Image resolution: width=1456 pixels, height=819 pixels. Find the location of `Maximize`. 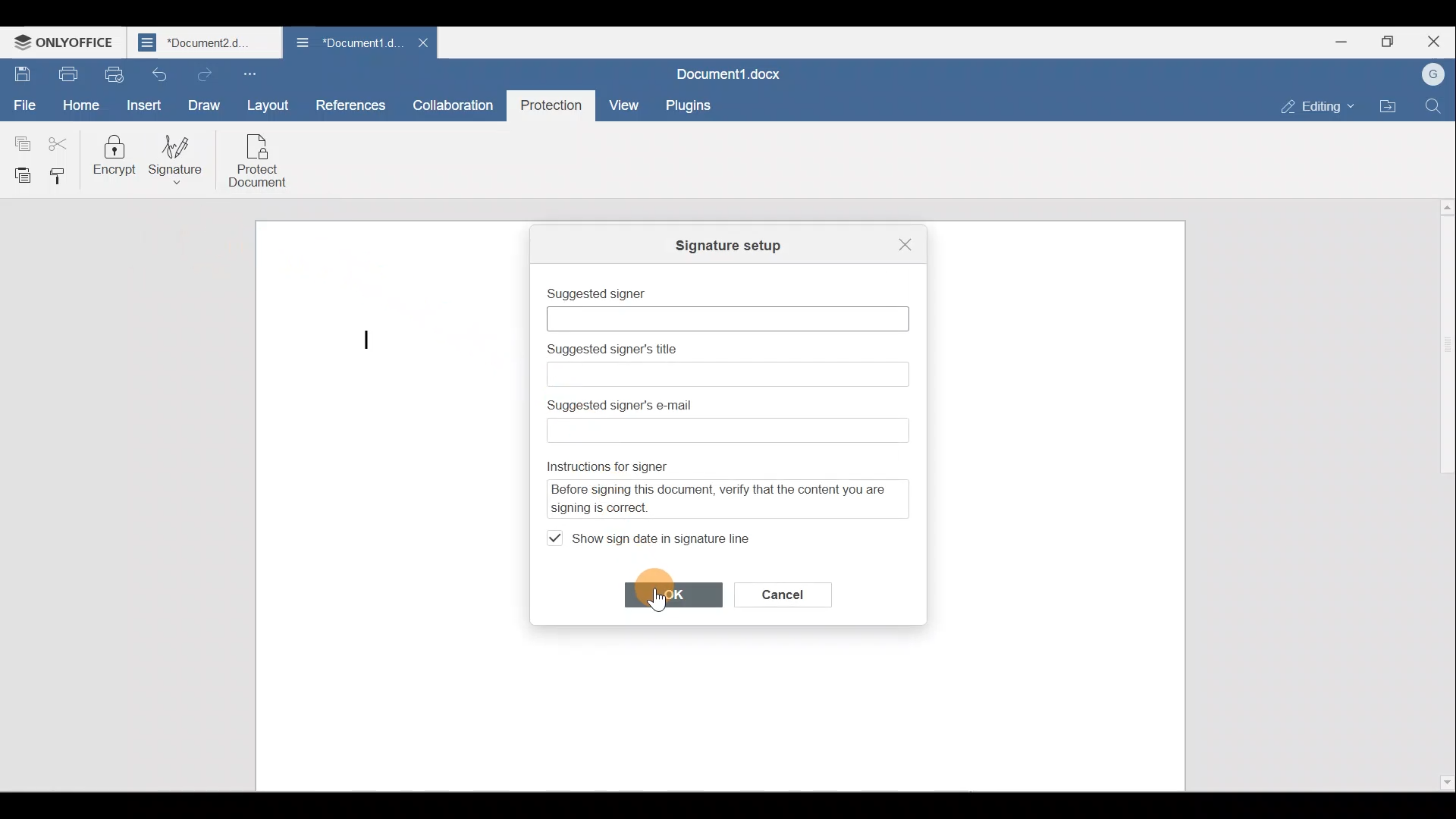

Maximize is located at coordinates (1386, 38).